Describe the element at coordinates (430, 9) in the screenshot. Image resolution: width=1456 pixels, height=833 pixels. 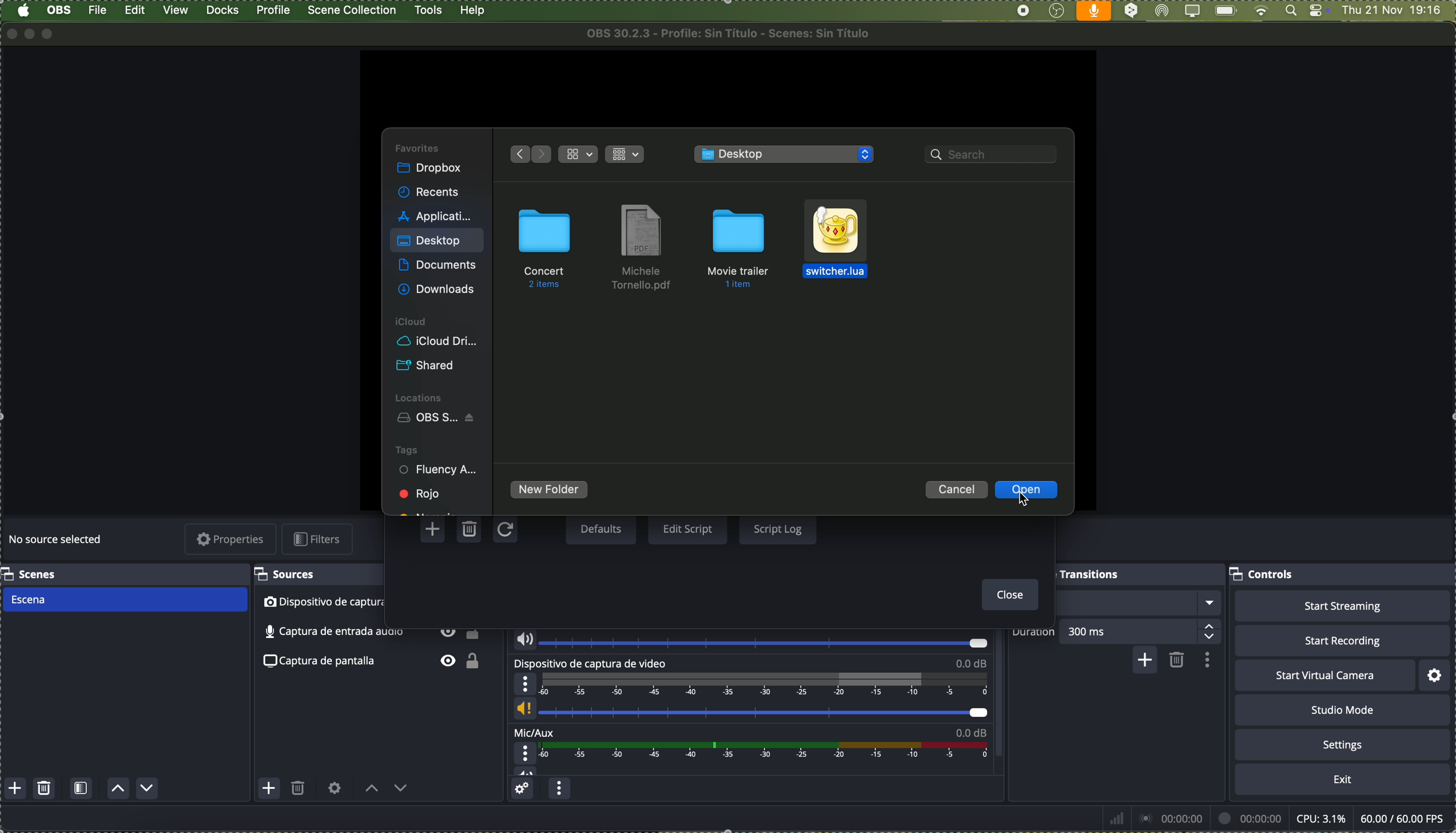
I see `click on tools` at that location.